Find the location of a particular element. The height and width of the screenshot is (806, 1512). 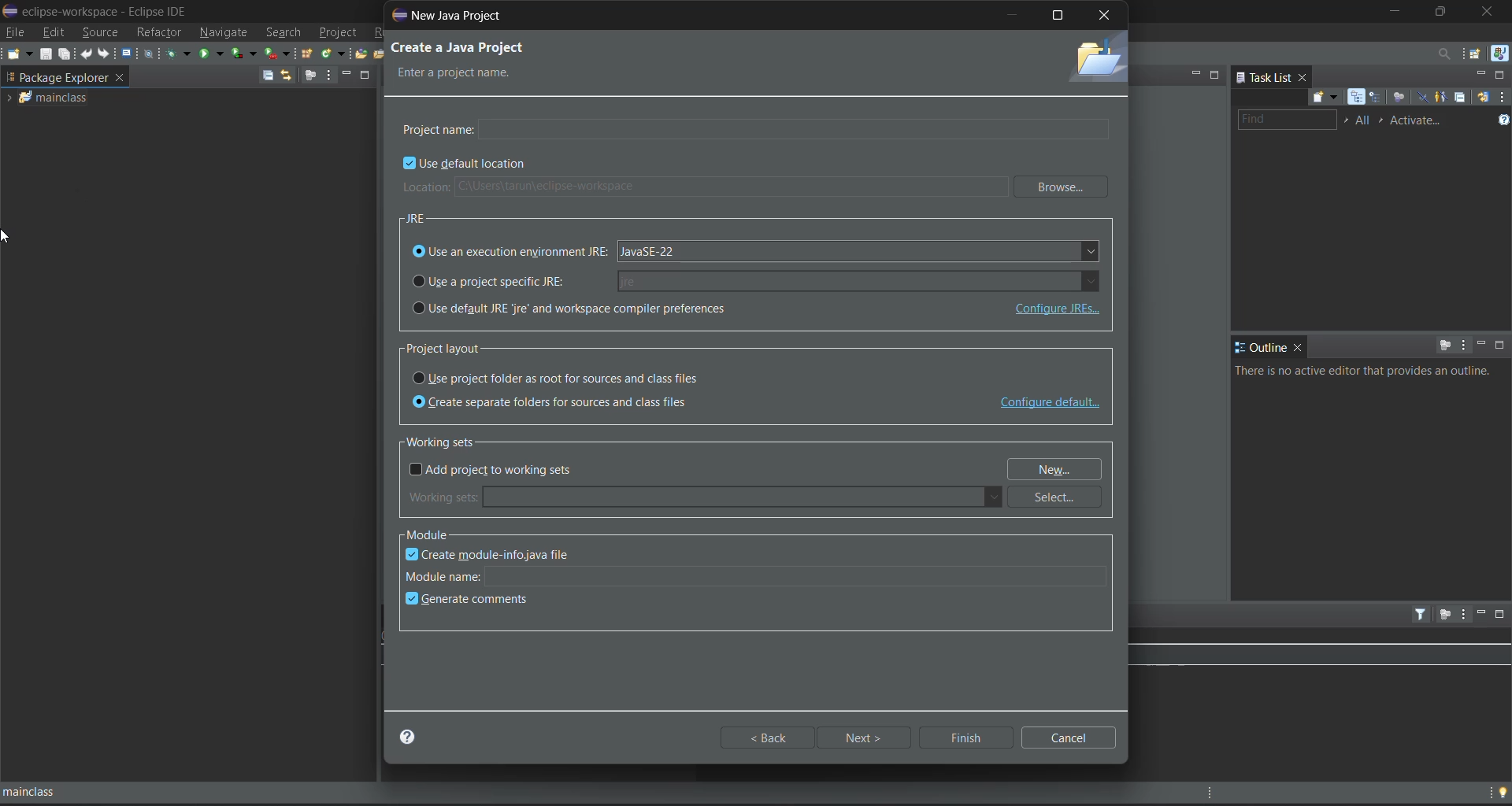

use project folder as root is located at coordinates (565, 378).